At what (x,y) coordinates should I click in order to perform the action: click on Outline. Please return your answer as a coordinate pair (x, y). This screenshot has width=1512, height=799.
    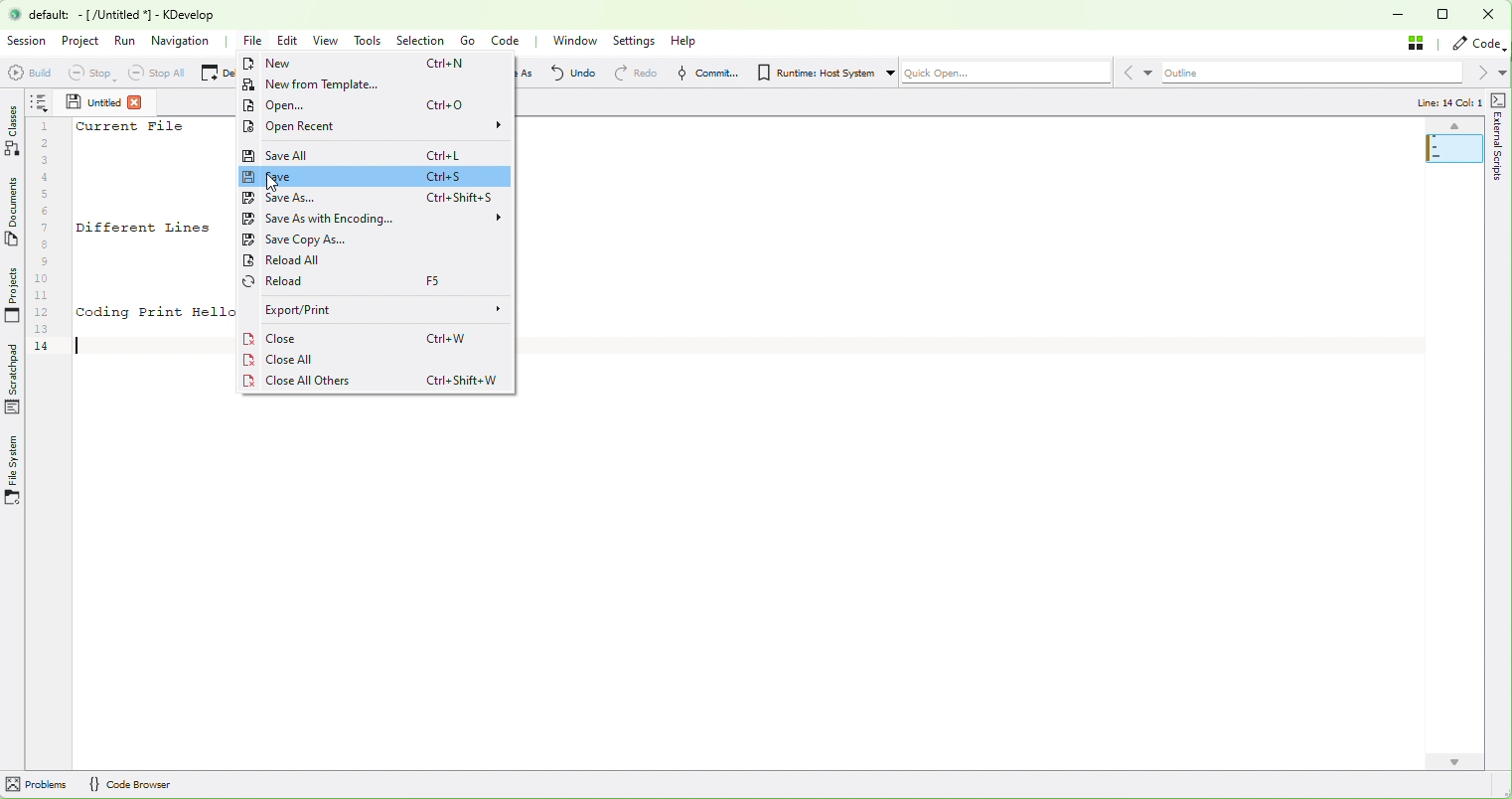
    Looking at the image, I should click on (1334, 73).